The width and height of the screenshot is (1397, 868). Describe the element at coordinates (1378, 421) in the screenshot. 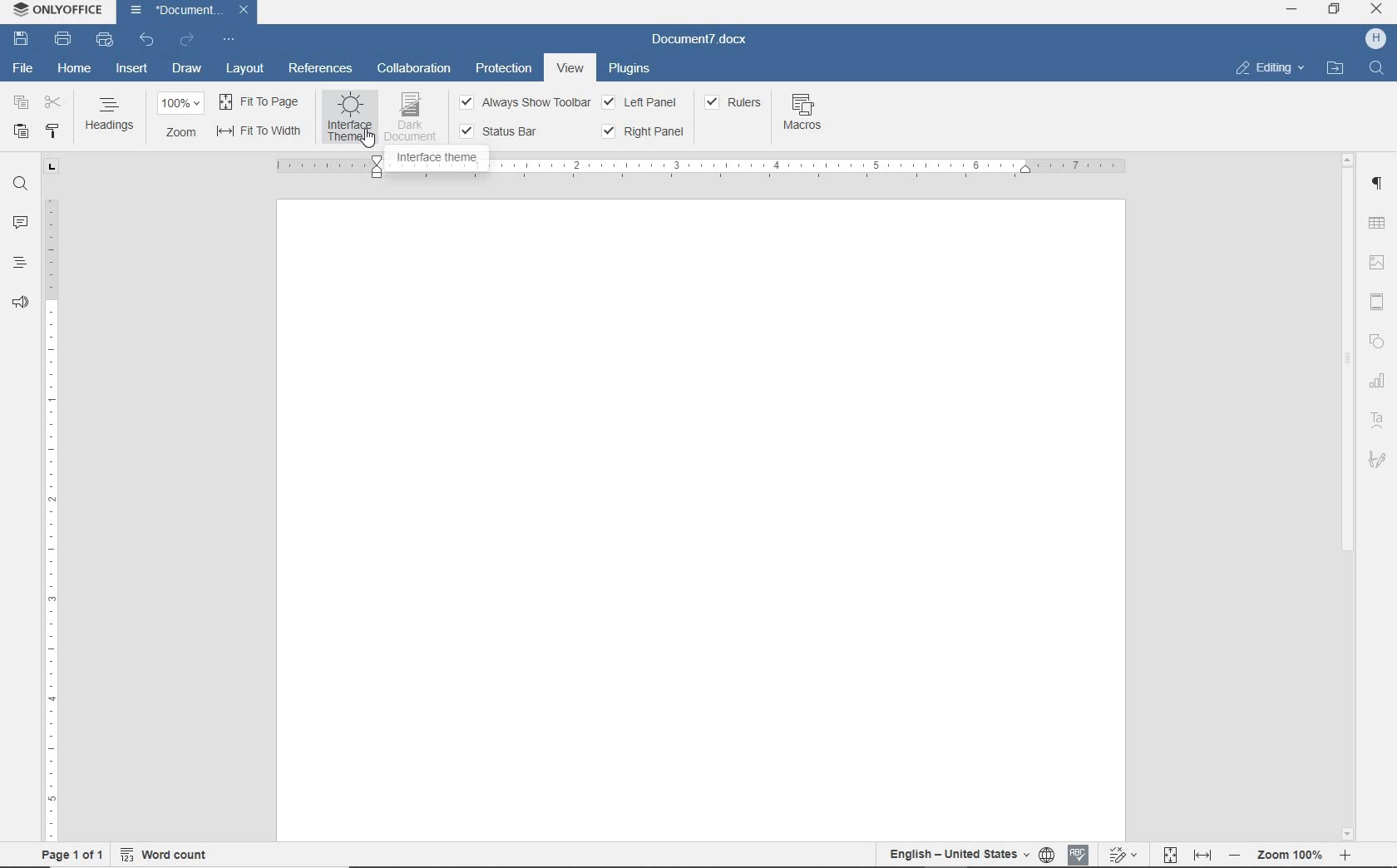

I see `TEXT ART` at that location.